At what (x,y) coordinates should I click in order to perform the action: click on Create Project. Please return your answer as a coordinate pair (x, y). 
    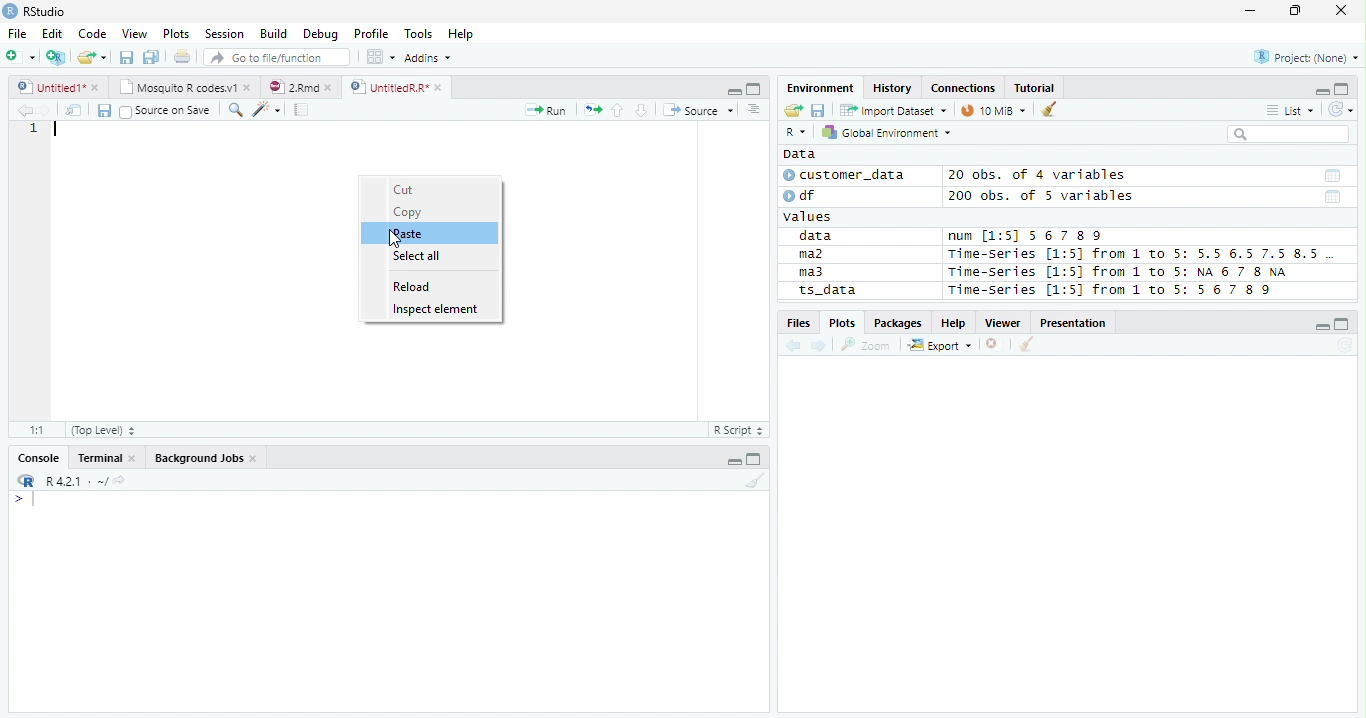
    Looking at the image, I should click on (57, 57).